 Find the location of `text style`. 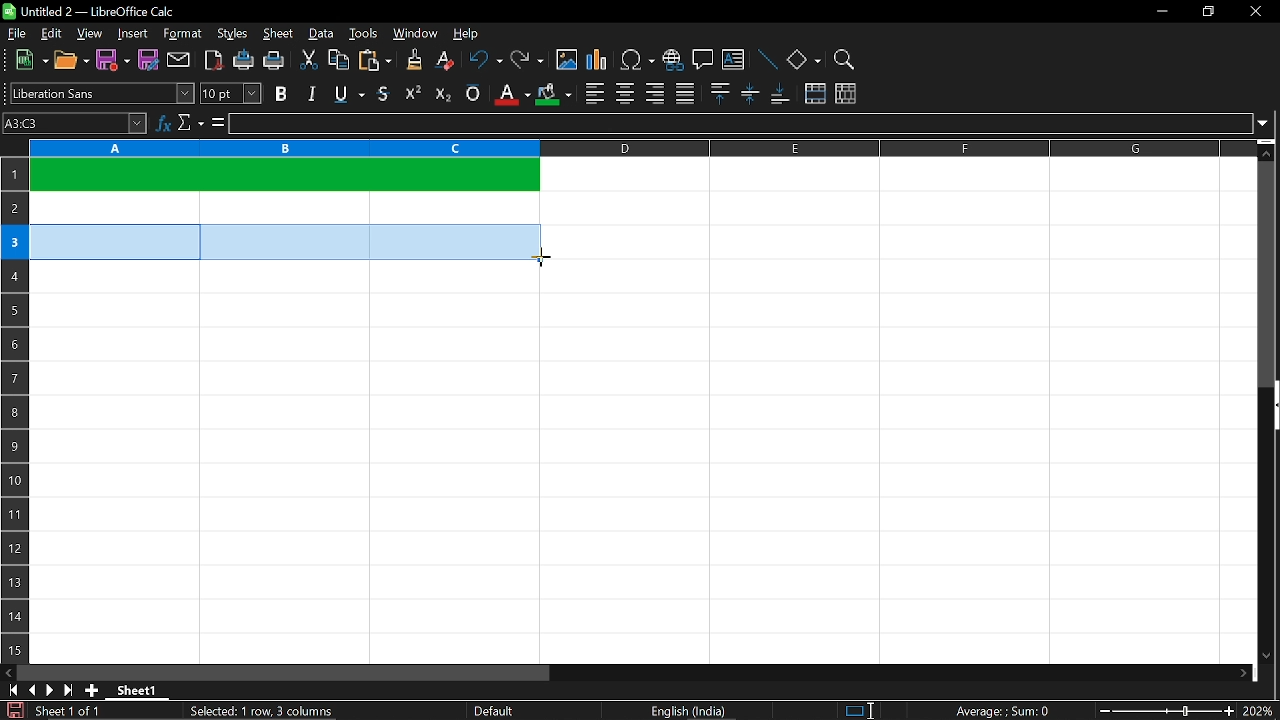

text style is located at coordinates (103, 94).